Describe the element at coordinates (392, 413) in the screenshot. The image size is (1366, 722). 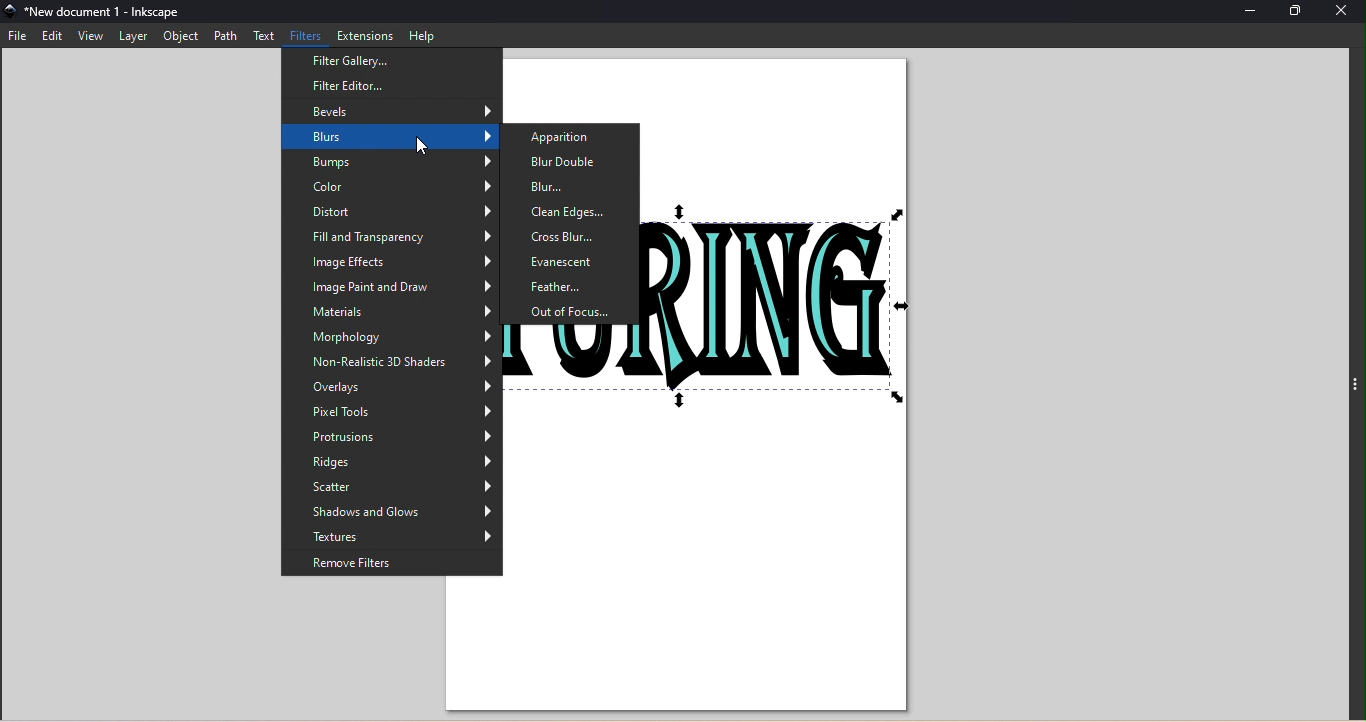
I see `Pixel tools` at that location.